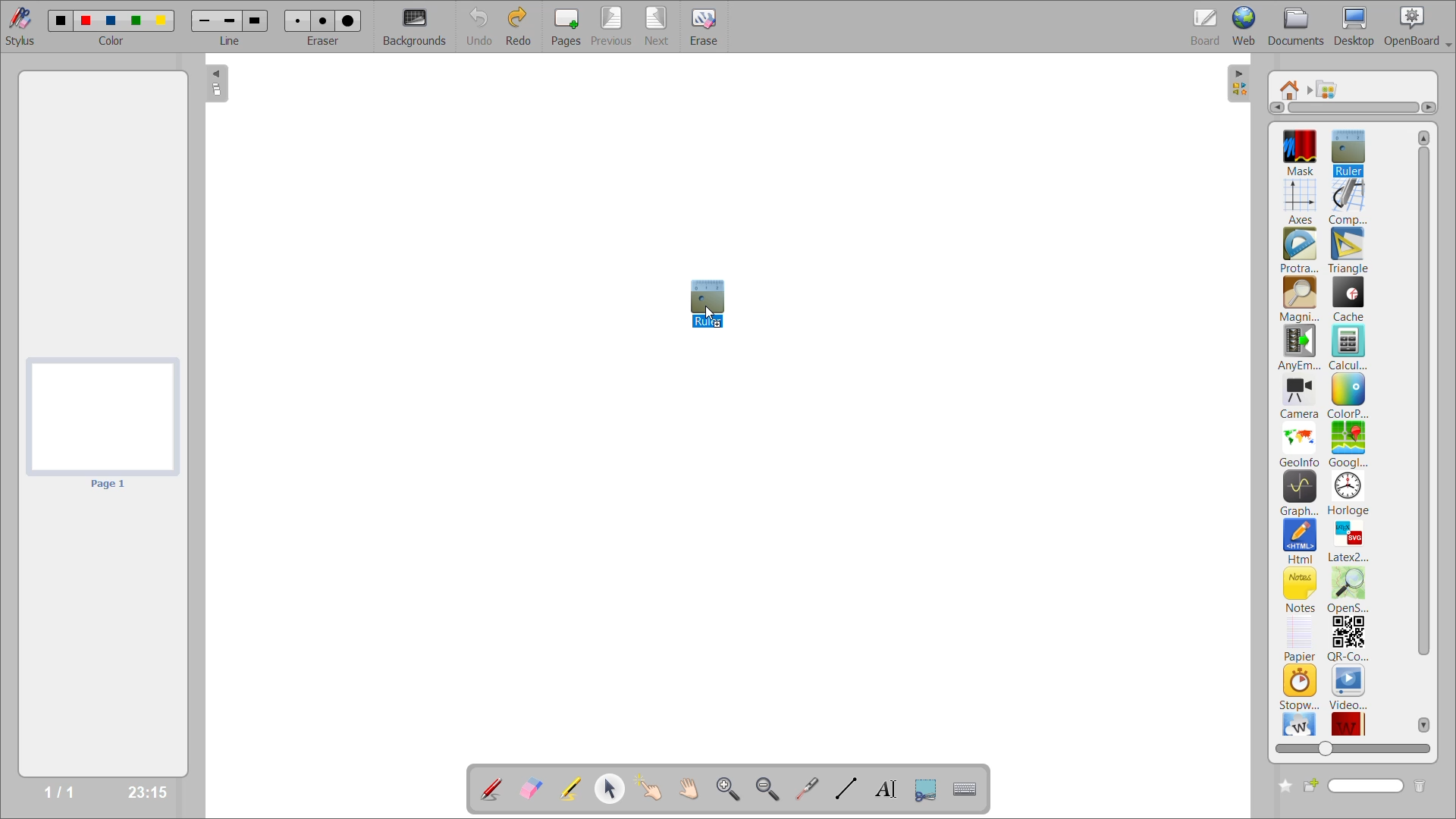  What do you see at coordinates (1303, 199) in the screenshot?
I see `axes` at bounding box center [1303, 199].